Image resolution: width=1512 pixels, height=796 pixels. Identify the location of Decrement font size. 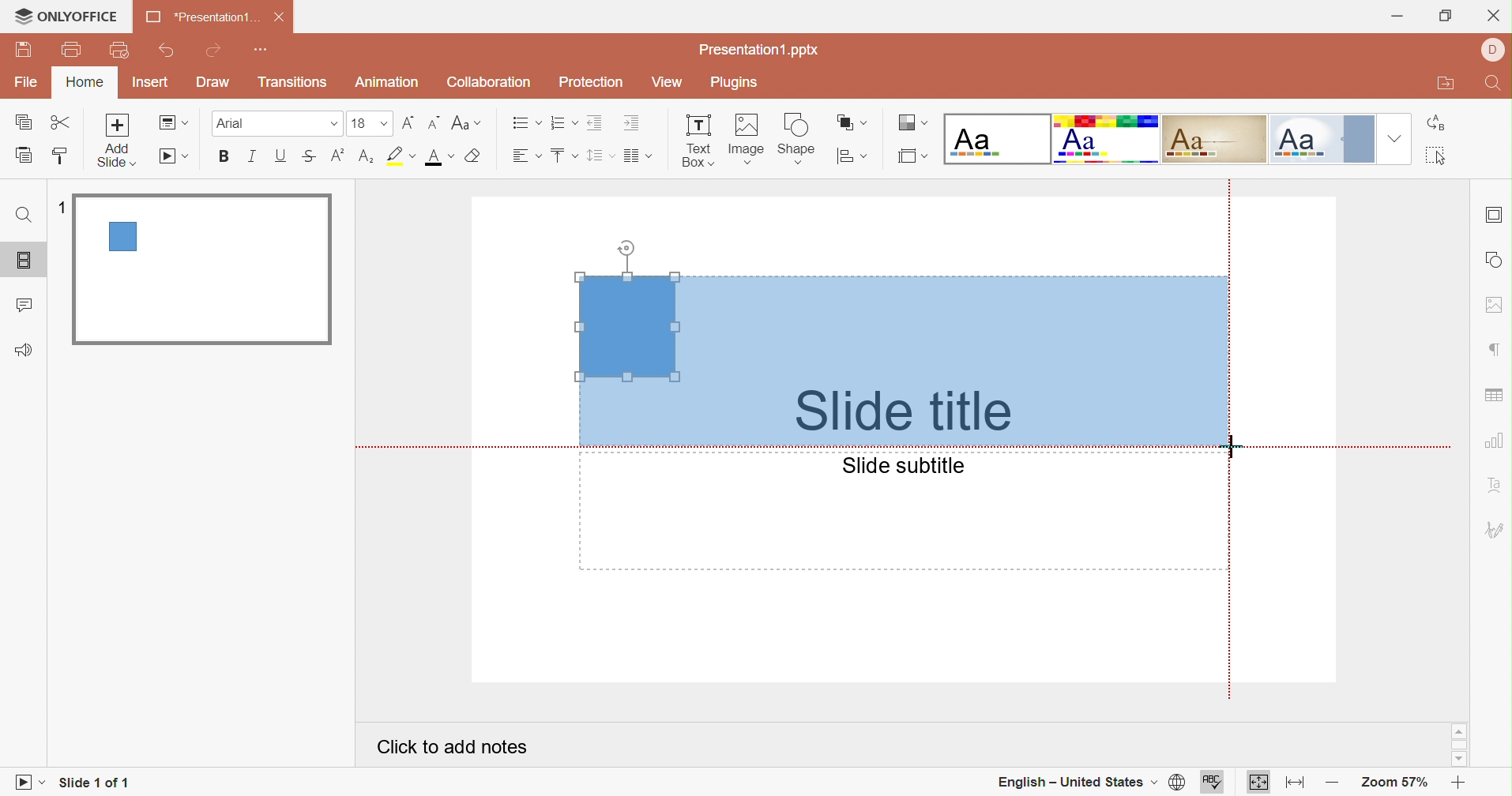
(433, 123).